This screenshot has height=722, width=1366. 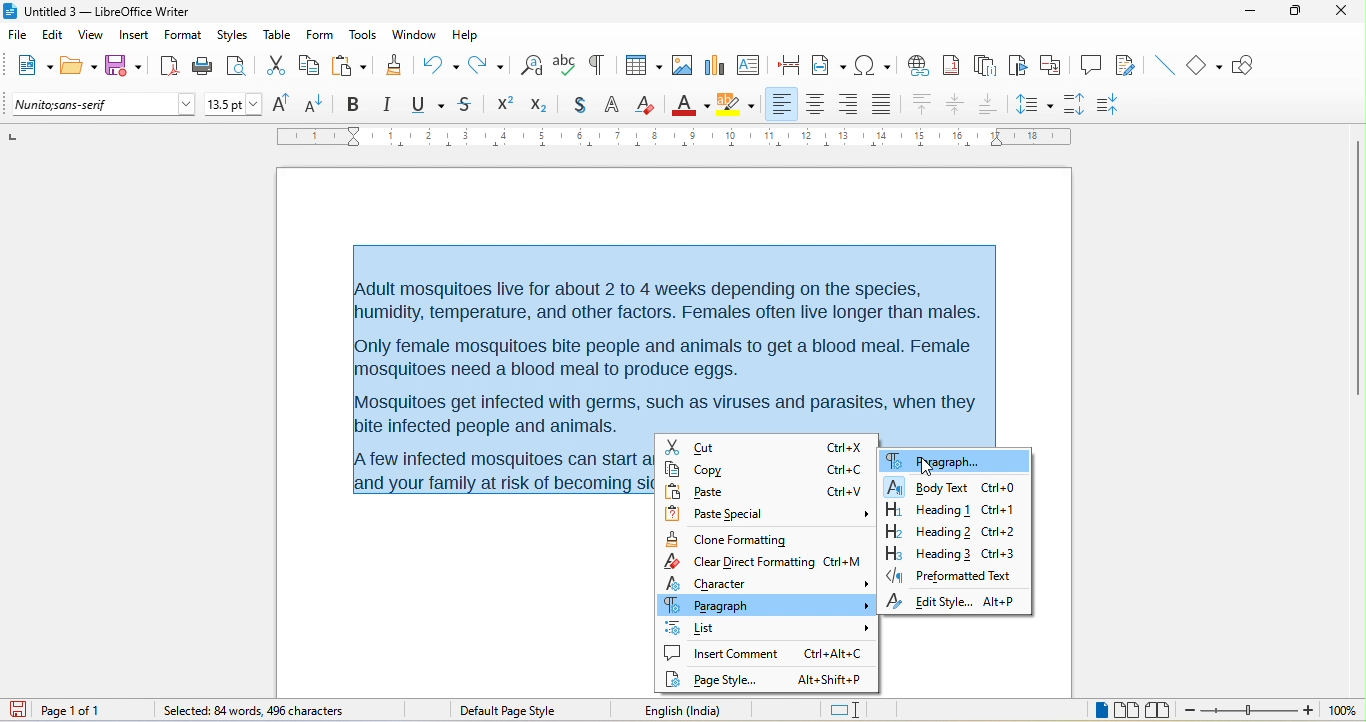 I want to click on clone formatting, so click(x=393, y=64).